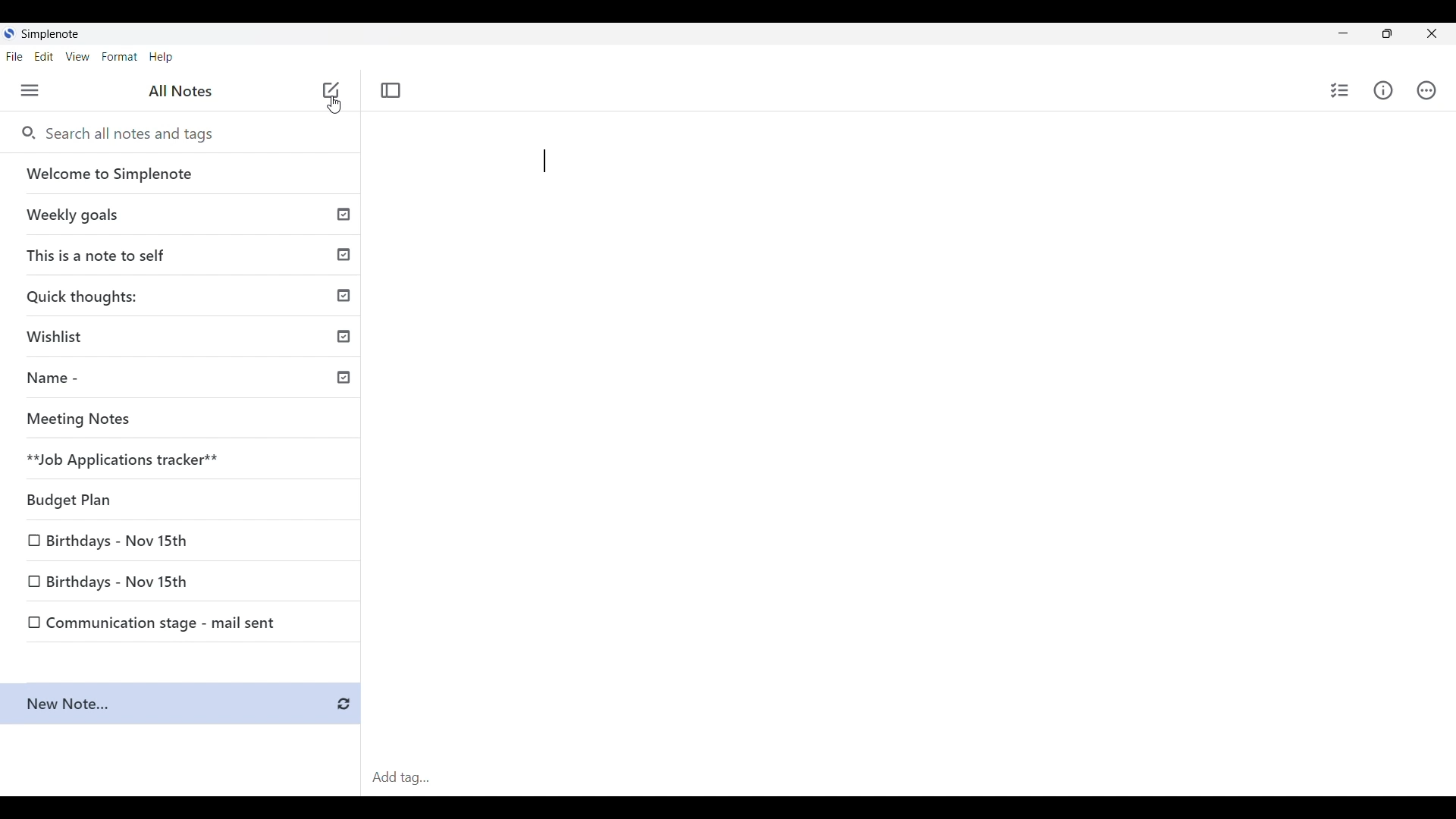  What do you see at coordinates (14, 56) in the screenshot?
I see `File` at bounding box center [14, 56].